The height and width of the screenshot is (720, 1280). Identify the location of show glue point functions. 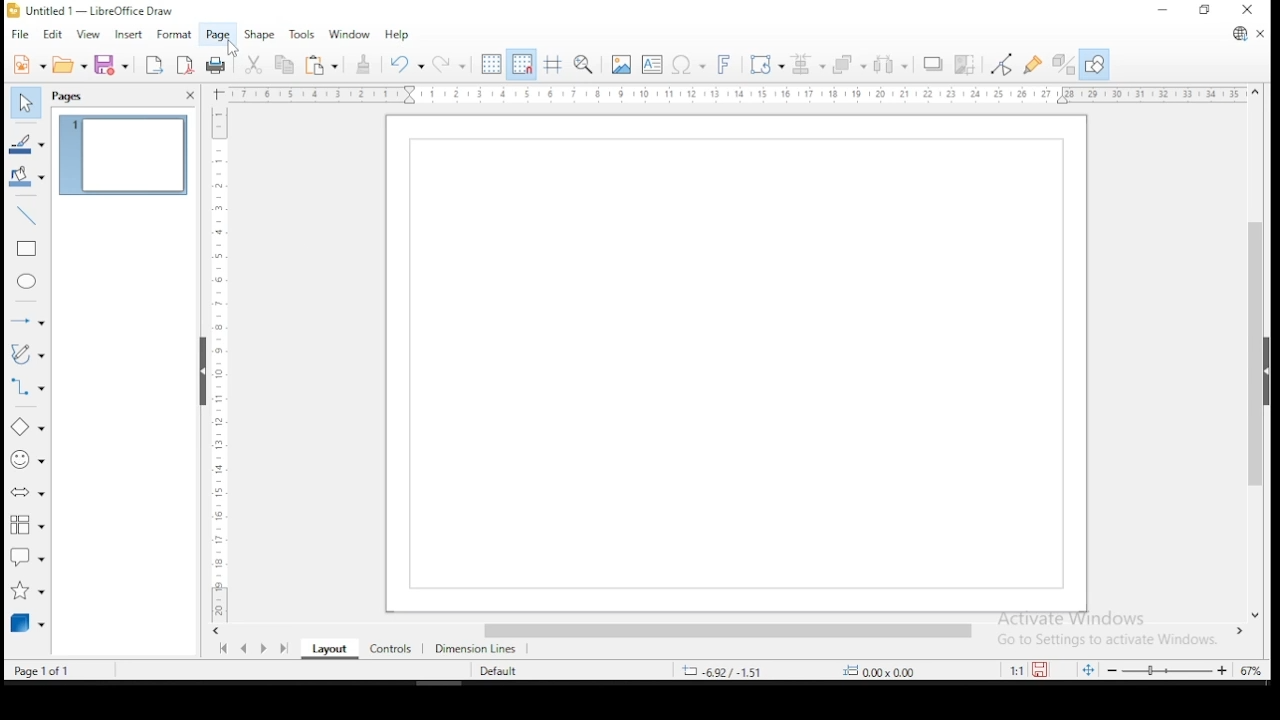
(1033, 63).